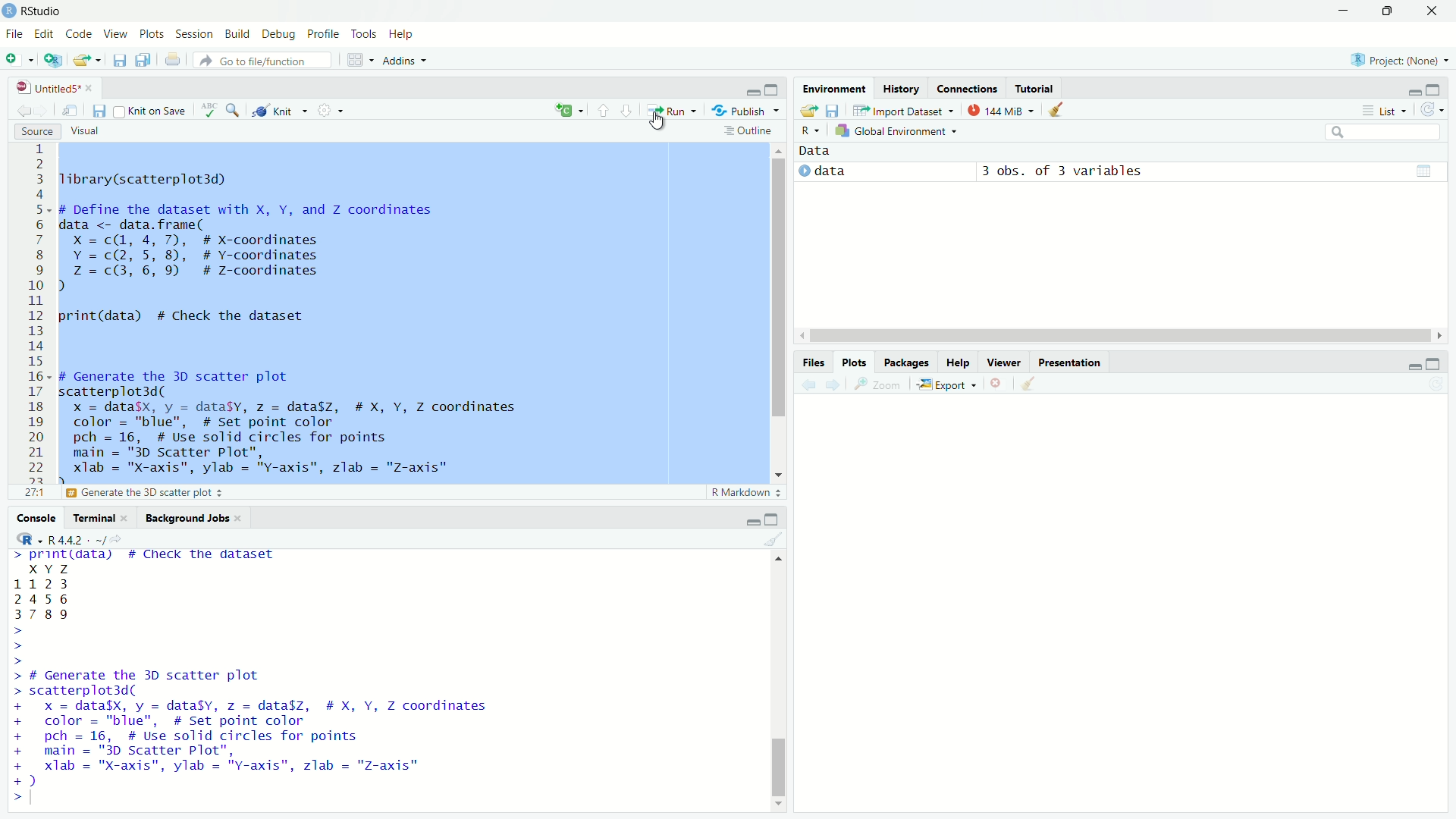 The height and width of the screenshot is (819, 1456). Describe the element at coordinates (146, 556) in the screenshot. I see `> print(data) # Check the dataset` at that location.